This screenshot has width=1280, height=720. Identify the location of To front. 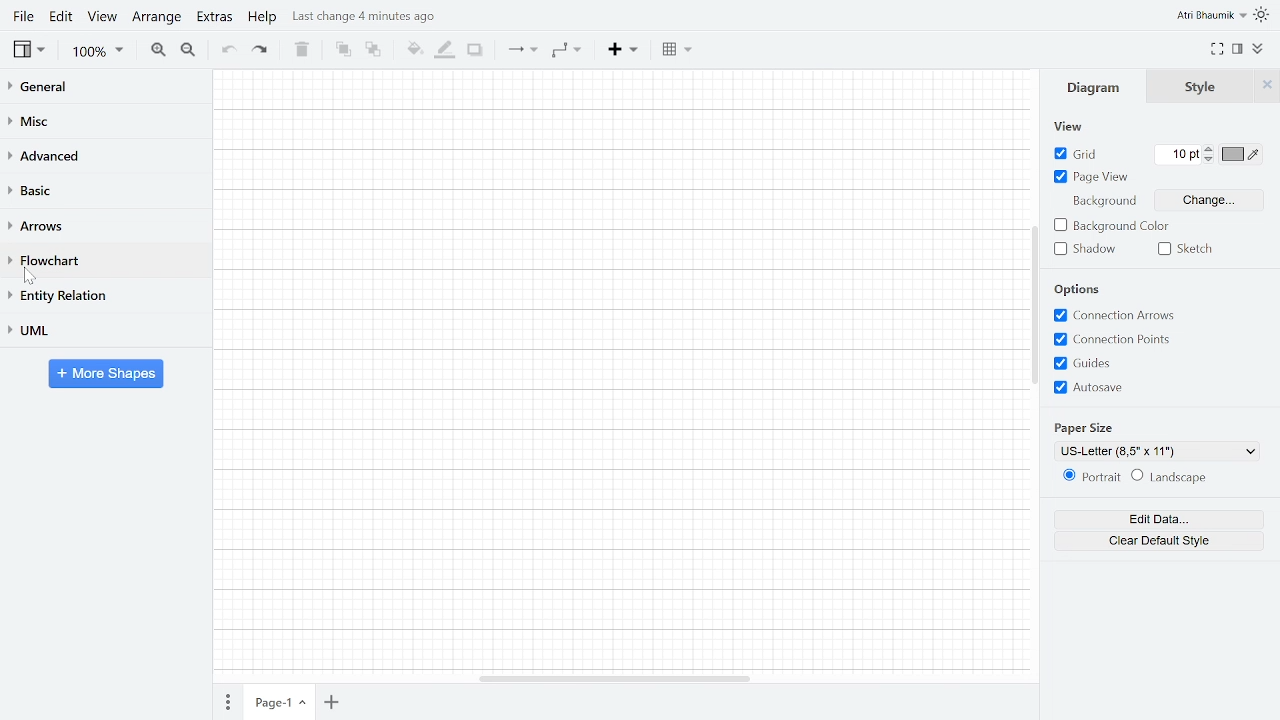
(343, 51).